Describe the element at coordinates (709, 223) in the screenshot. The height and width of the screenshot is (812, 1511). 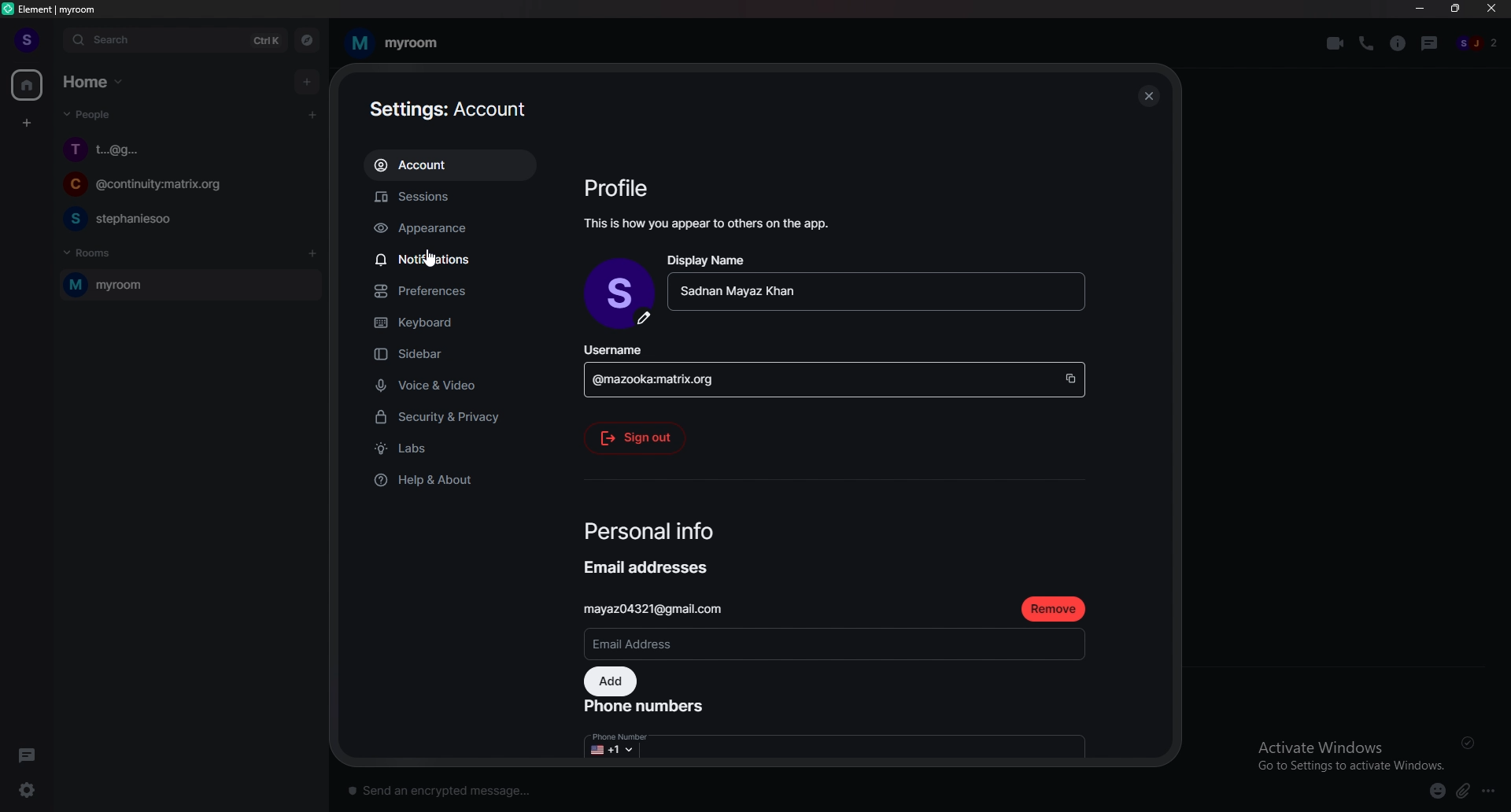
I see `info` at that location.